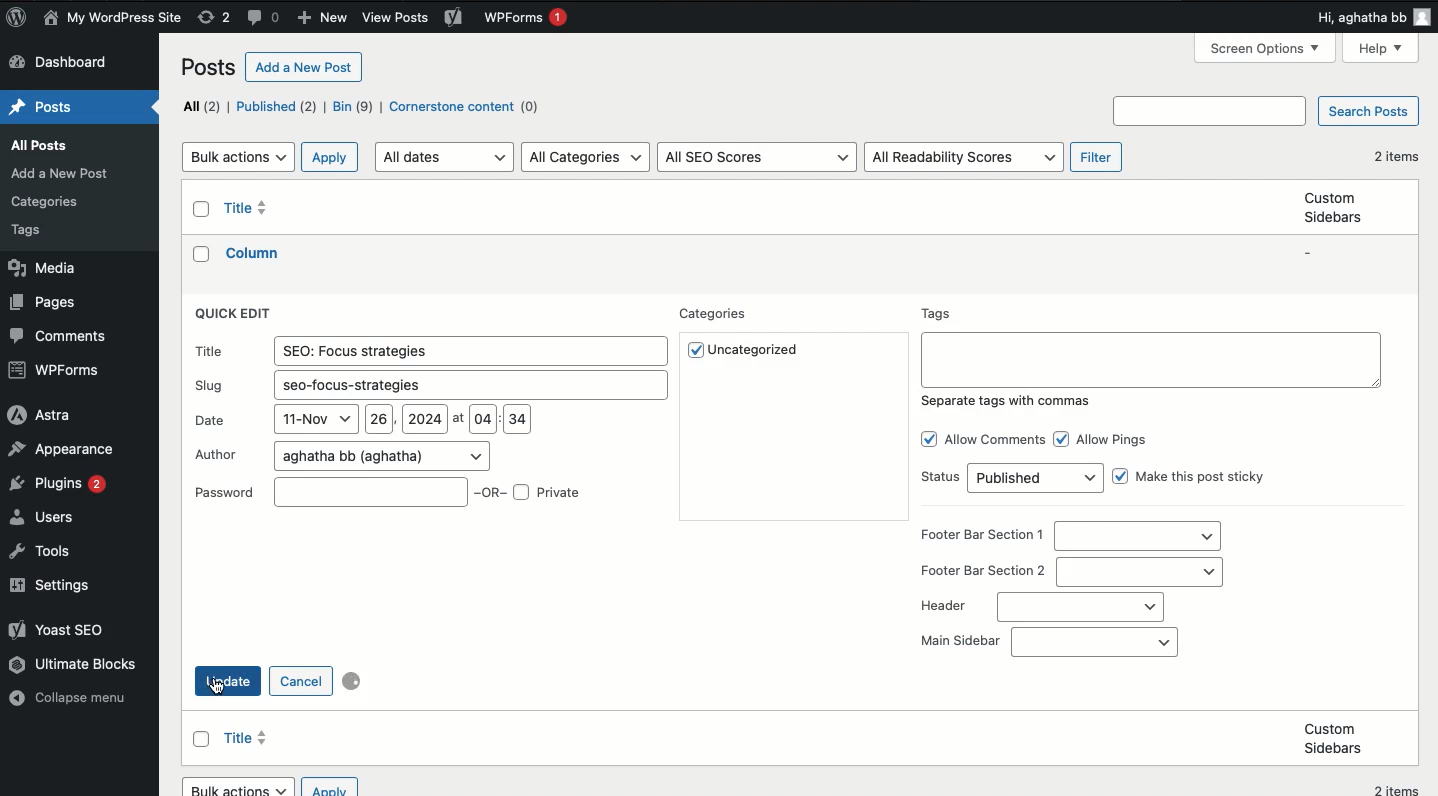  What do you see at coordinates (1331, 207) in the screenshot?
I see `Custom sidebars` at bounding box center [1331, 207].